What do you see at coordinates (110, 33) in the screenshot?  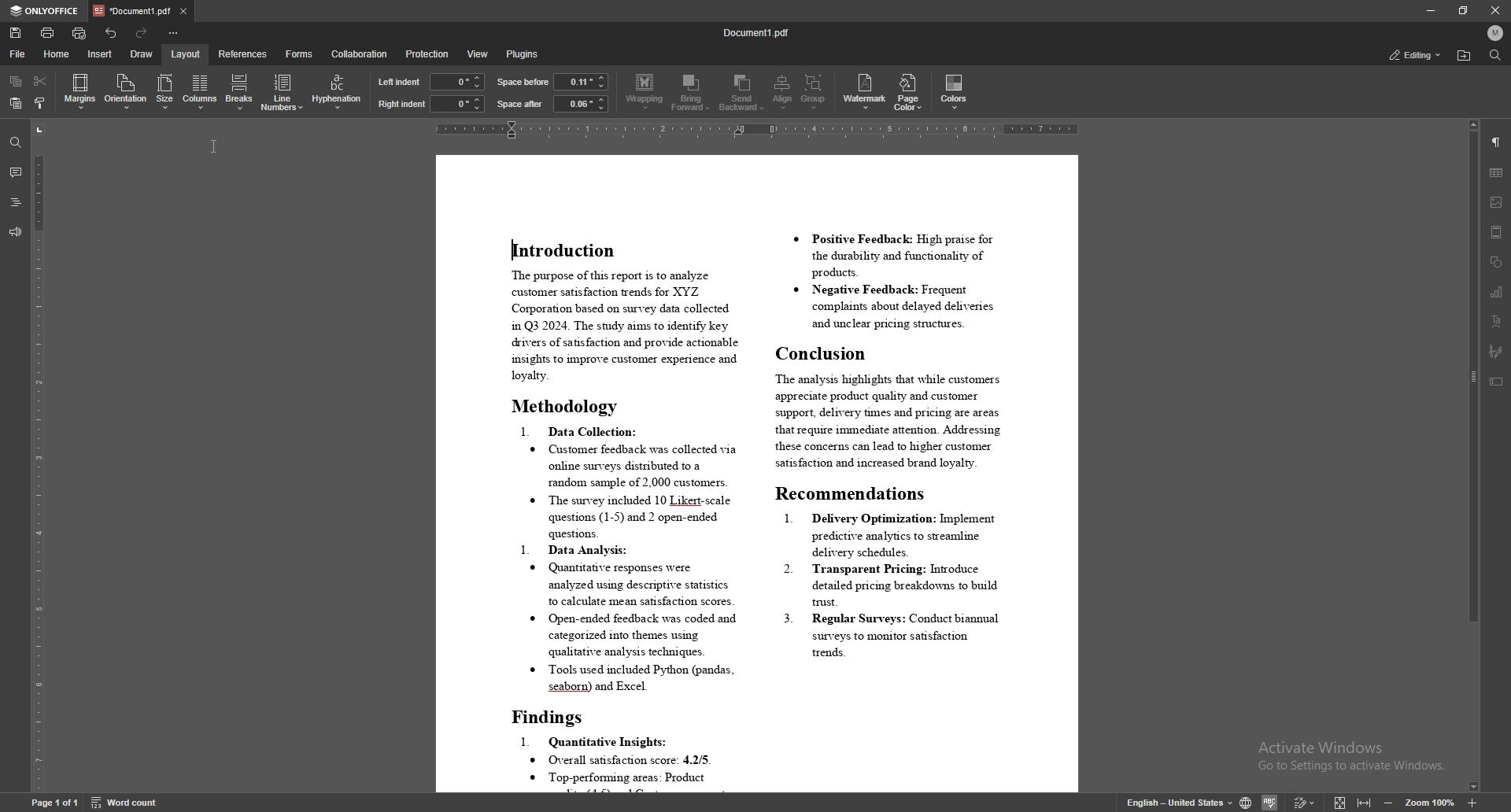 I see `undo` at bounding box center [110, 33].